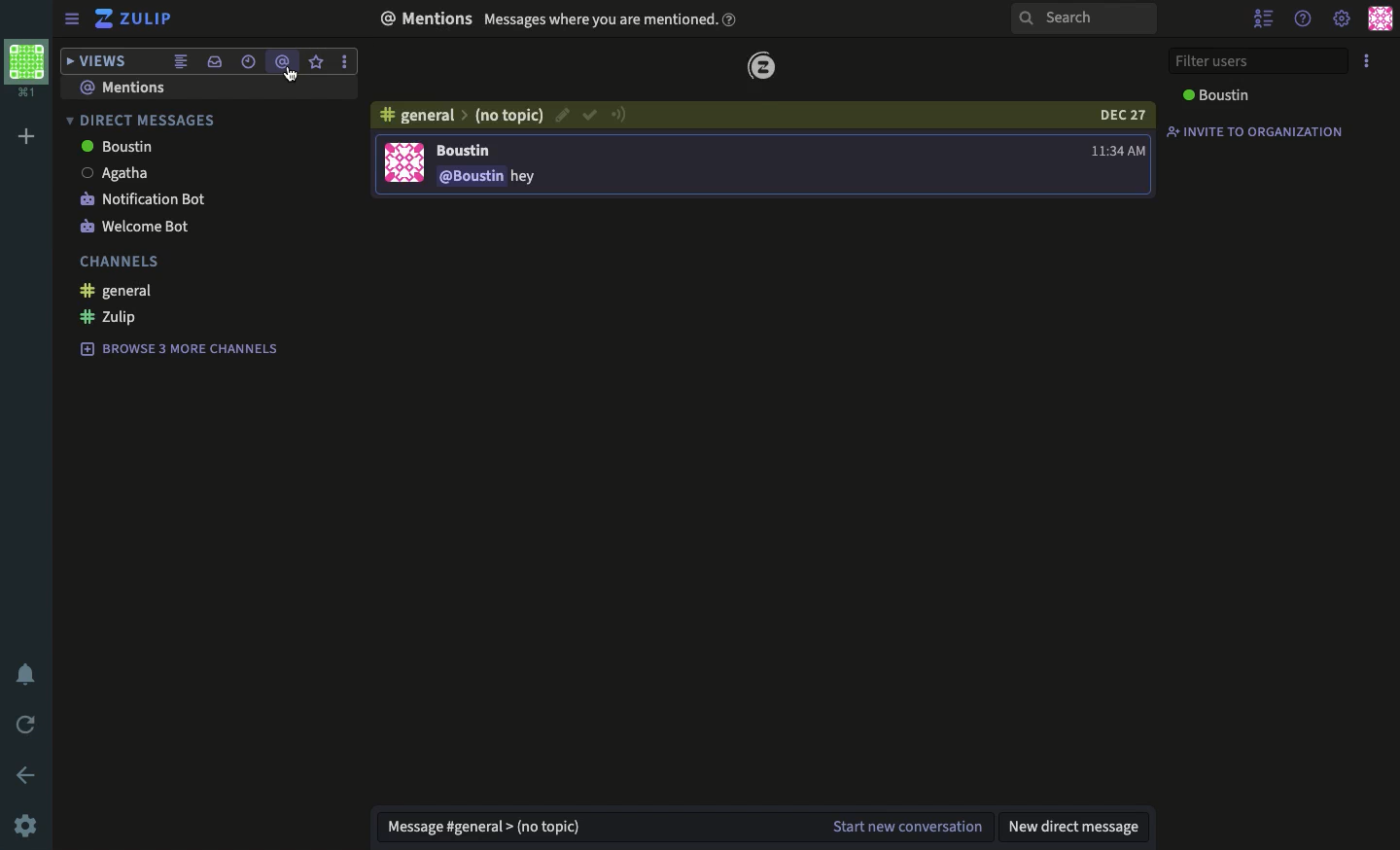  What do you see at coordinates (110, 318) in the screenshot?
I see `zulip` at bounding box center [110, 318].